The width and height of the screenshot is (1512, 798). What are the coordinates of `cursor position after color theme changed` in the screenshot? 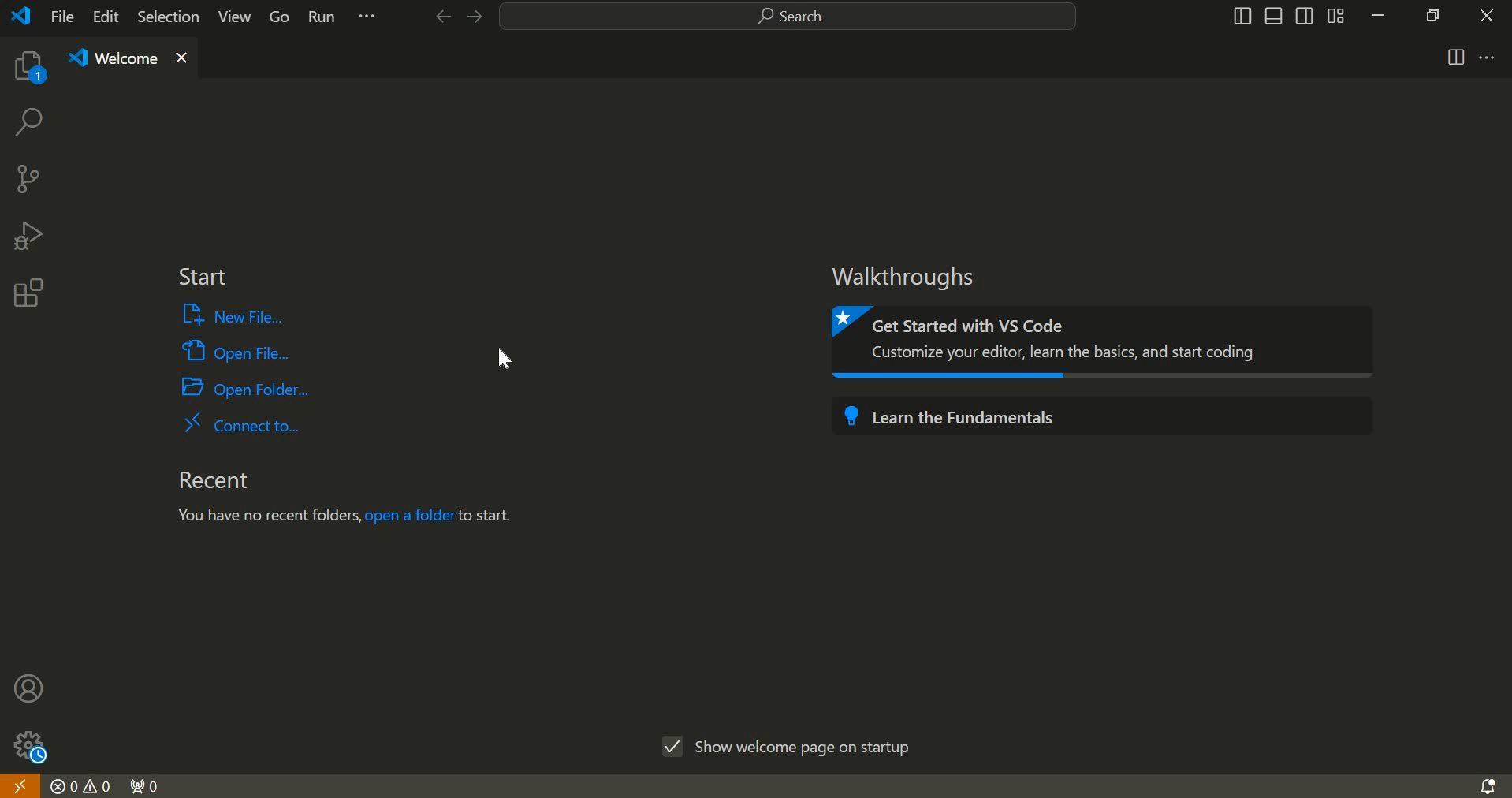 It's located at (505, 362).